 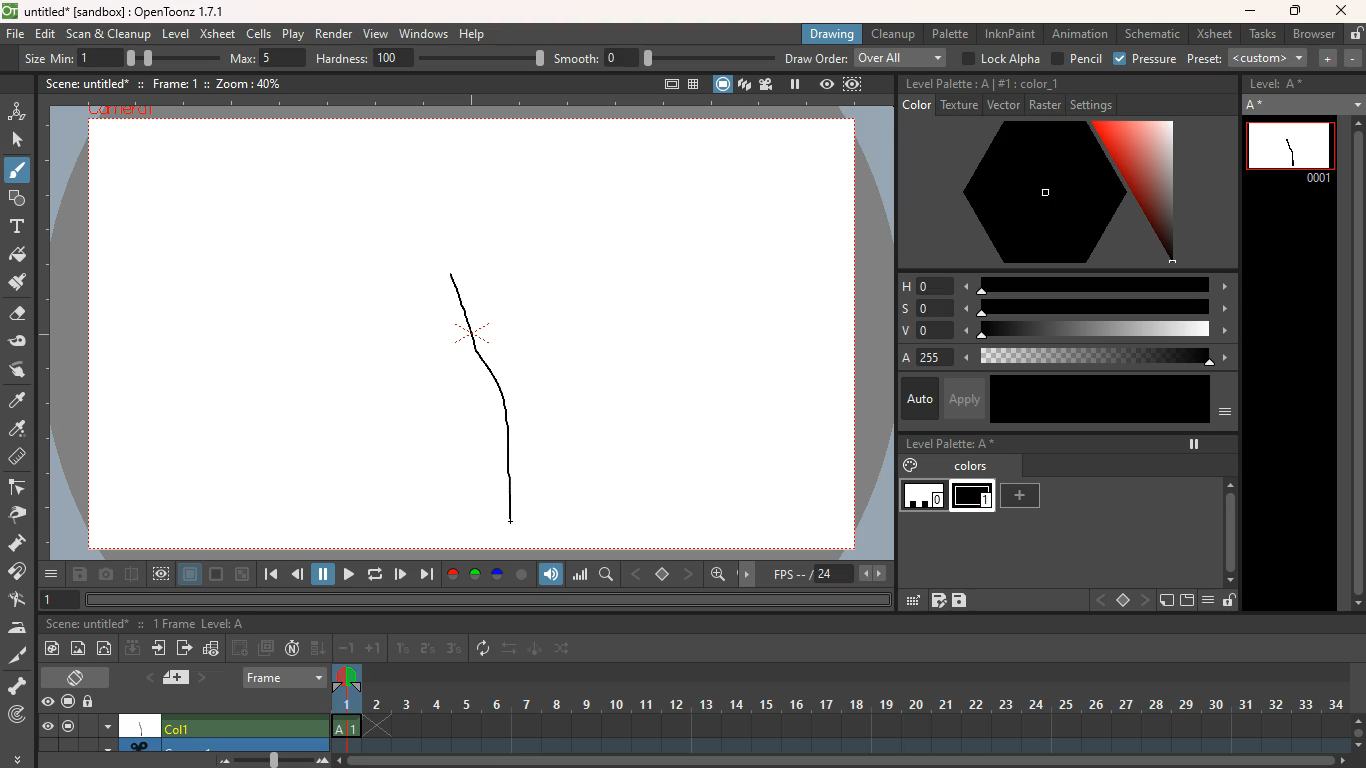 What do you see at coordinates (918, 308) in the screenshot?
I see `s` at bounding box center [918, 308].